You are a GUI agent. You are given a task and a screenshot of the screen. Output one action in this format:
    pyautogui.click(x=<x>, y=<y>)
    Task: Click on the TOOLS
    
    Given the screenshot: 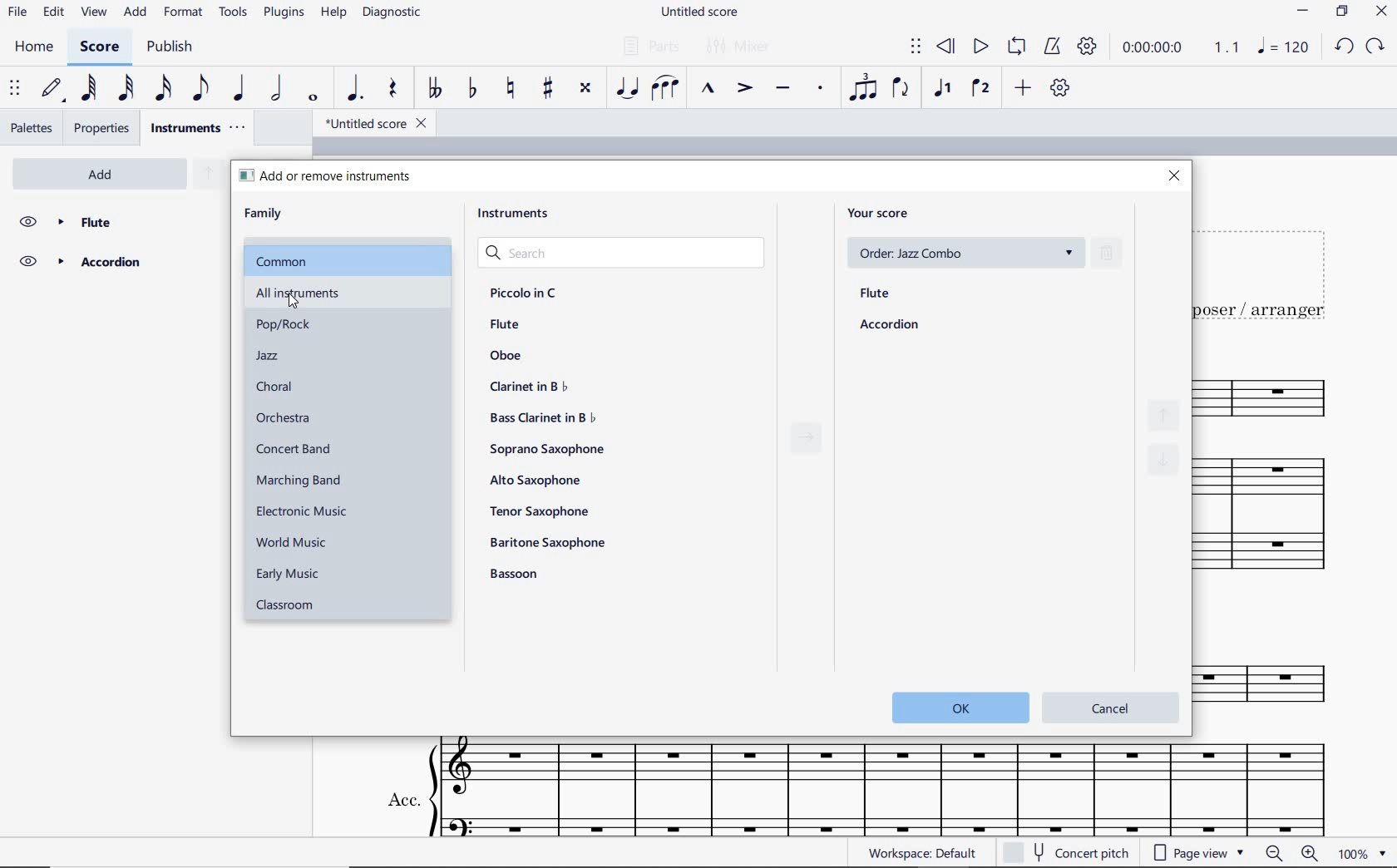 What is the action you would take?
    pyautogui.click(x=234, y=12)
    